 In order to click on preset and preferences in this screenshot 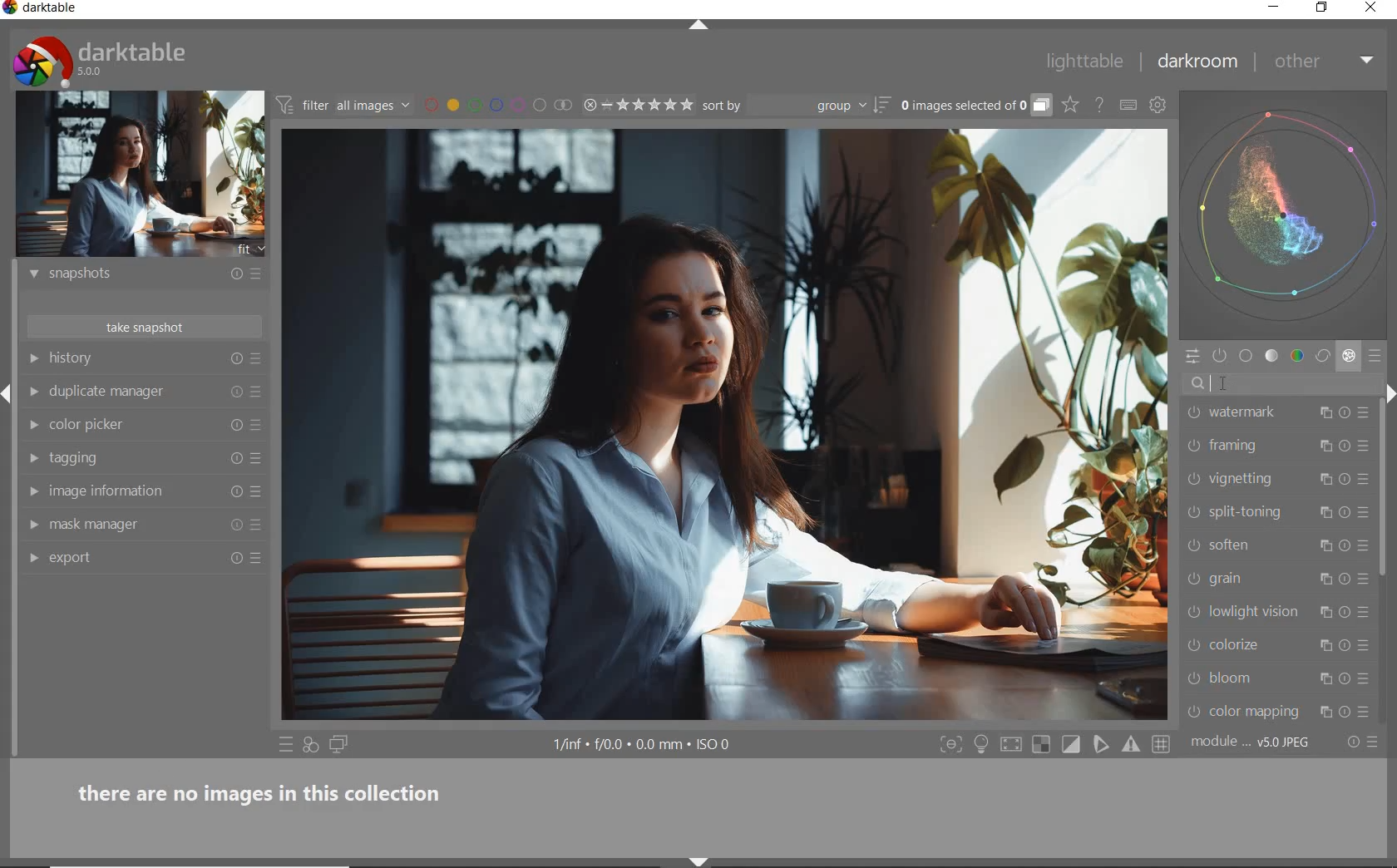, I will do `click(1366, 645)`.